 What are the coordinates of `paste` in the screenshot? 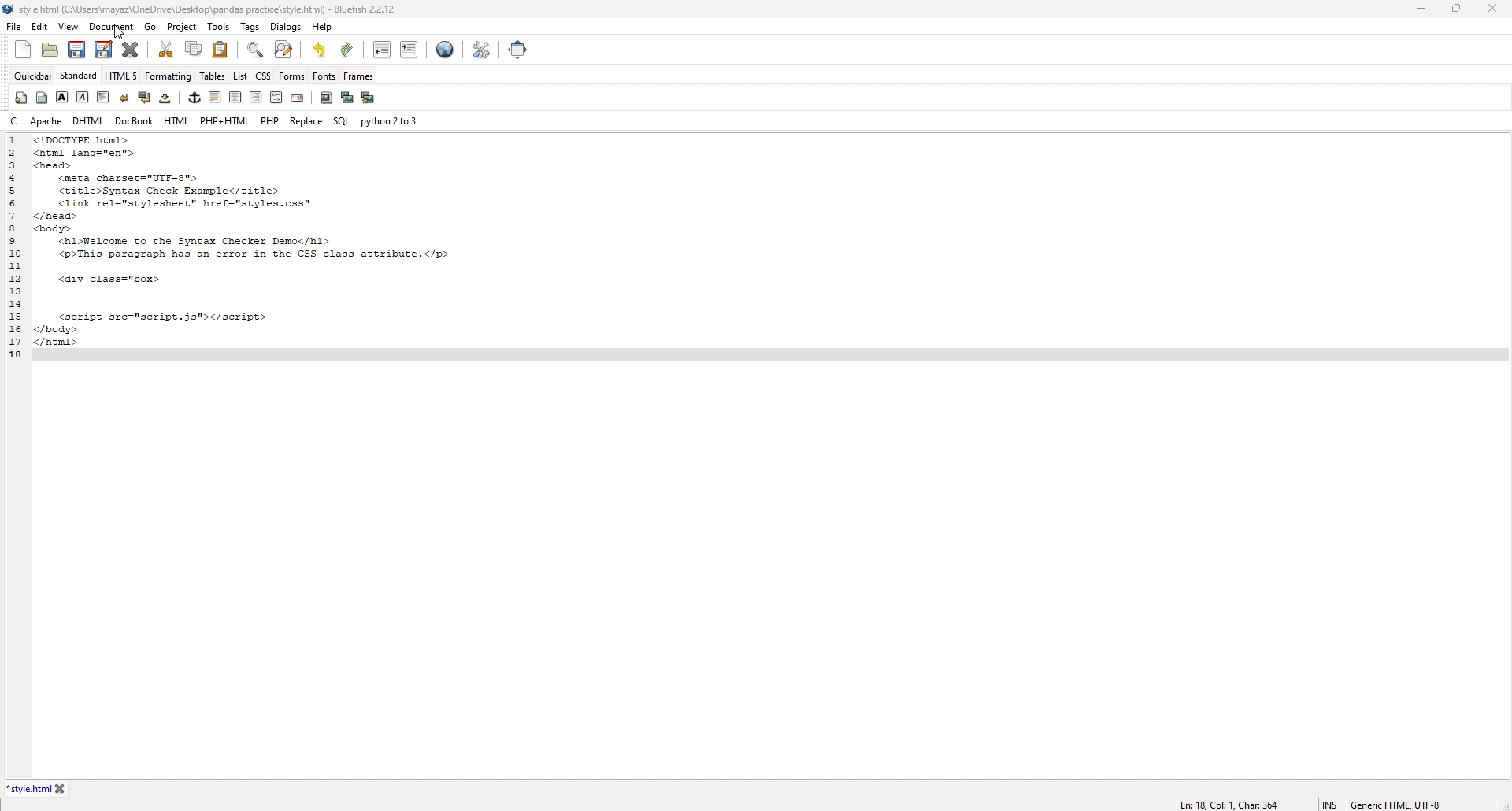 It's located at (219, 50).